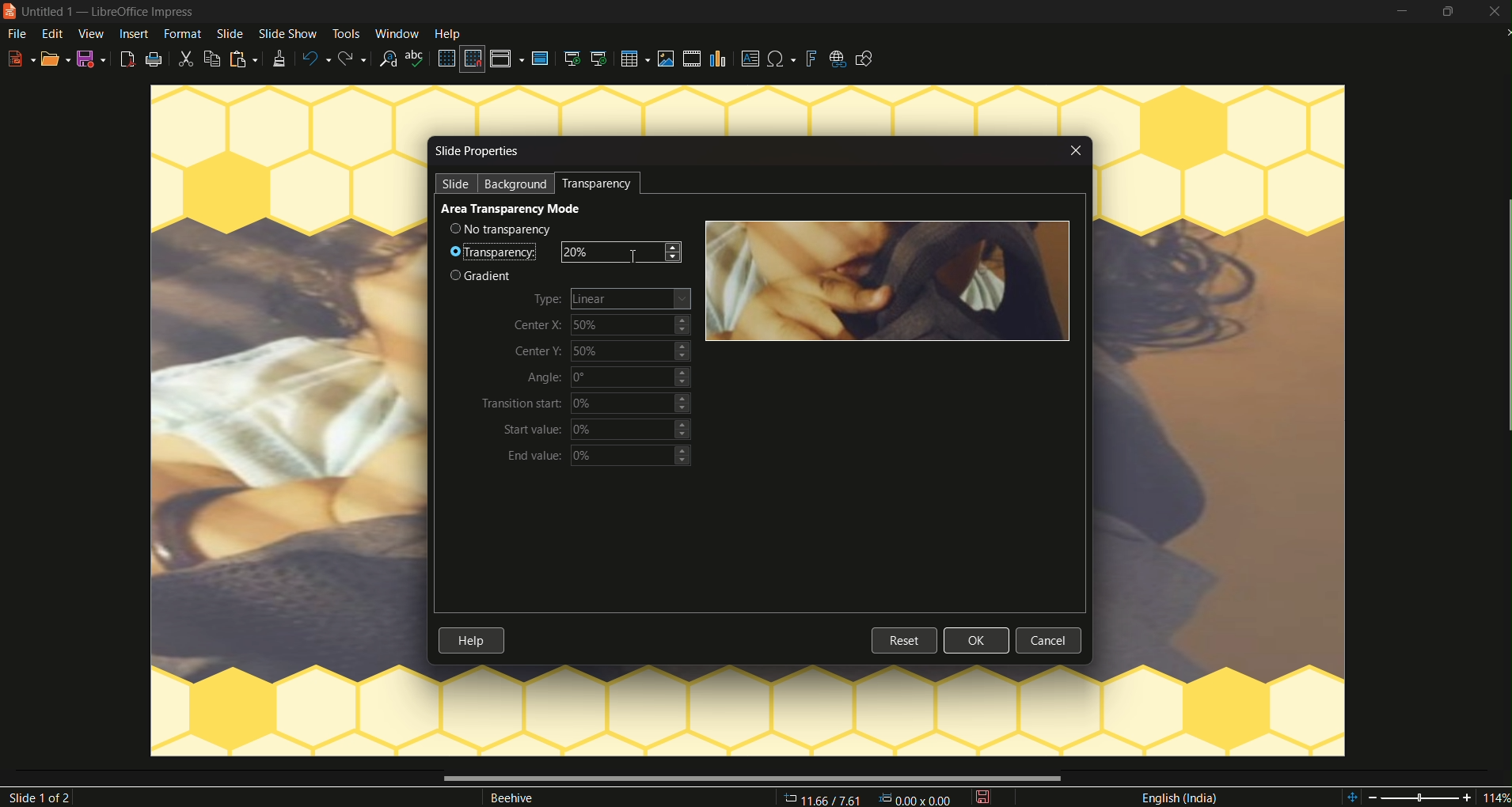  What do you see at coordinates (92, 34) in the screenshot?
I see `view` at bounding box center [92, 34].